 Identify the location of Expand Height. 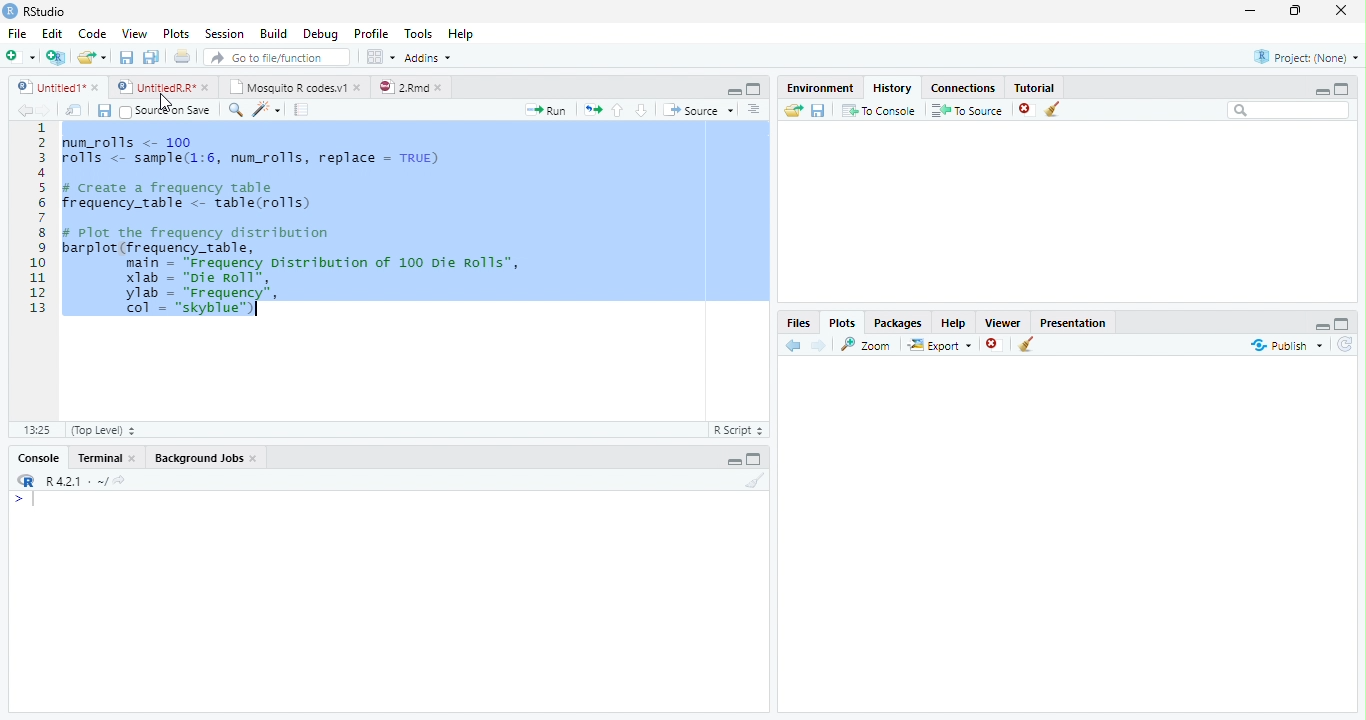
(755, 459).